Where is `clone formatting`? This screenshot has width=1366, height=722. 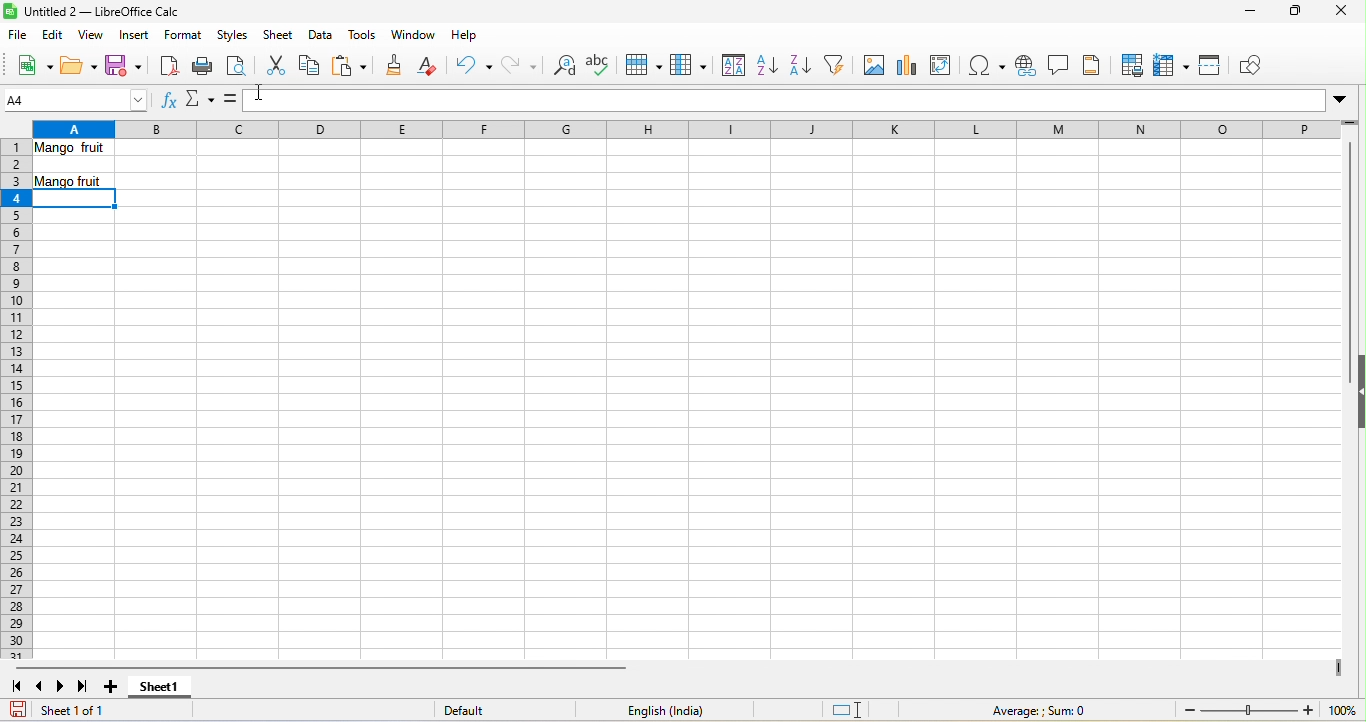 clone formatting is located at coordinates (393, 67).